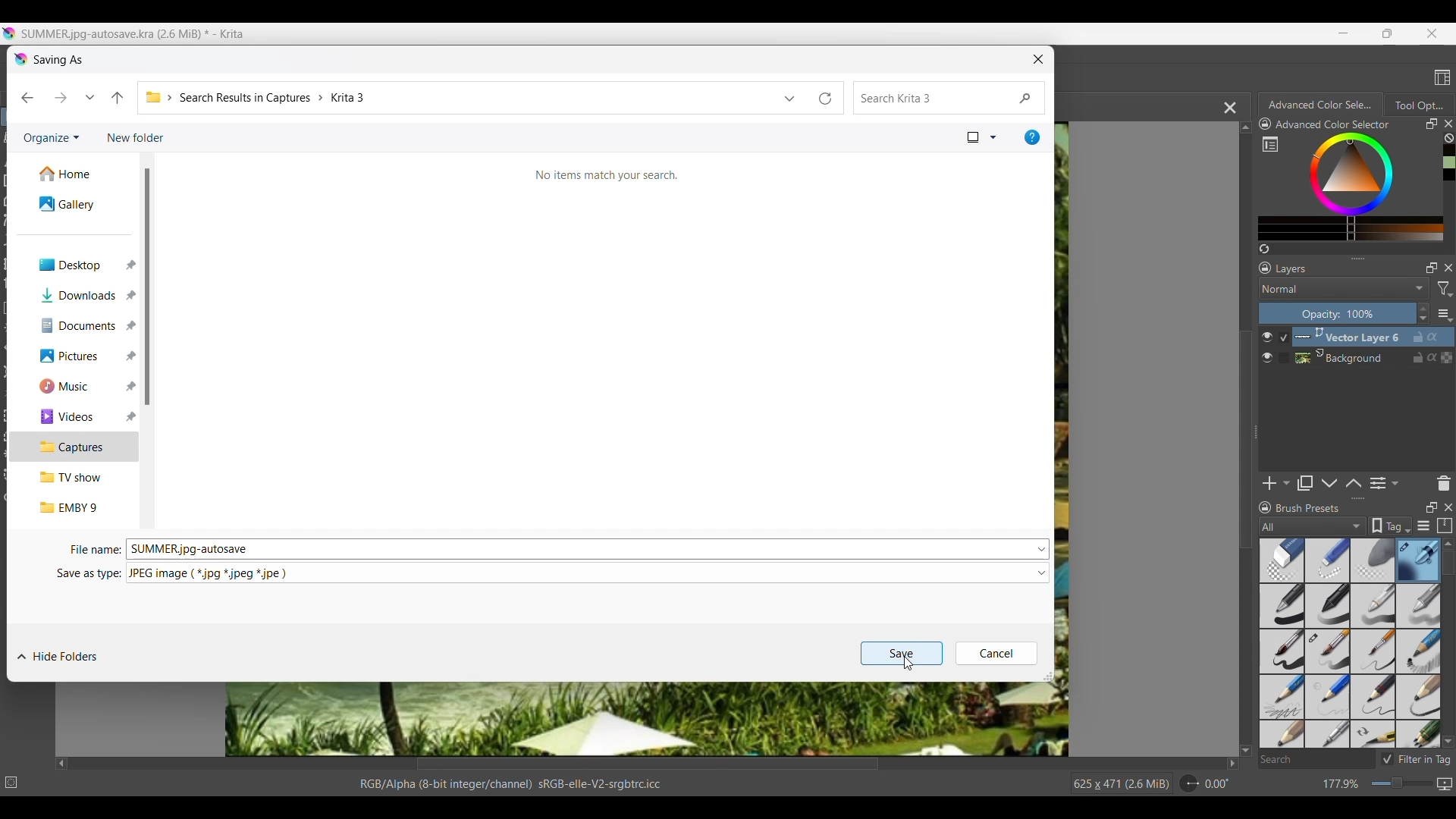 The image size is (1456, 819). What do you see at coordinates (76, 417) in the screenshot?
I see `Videos folder` at bounding box center [76, 417].